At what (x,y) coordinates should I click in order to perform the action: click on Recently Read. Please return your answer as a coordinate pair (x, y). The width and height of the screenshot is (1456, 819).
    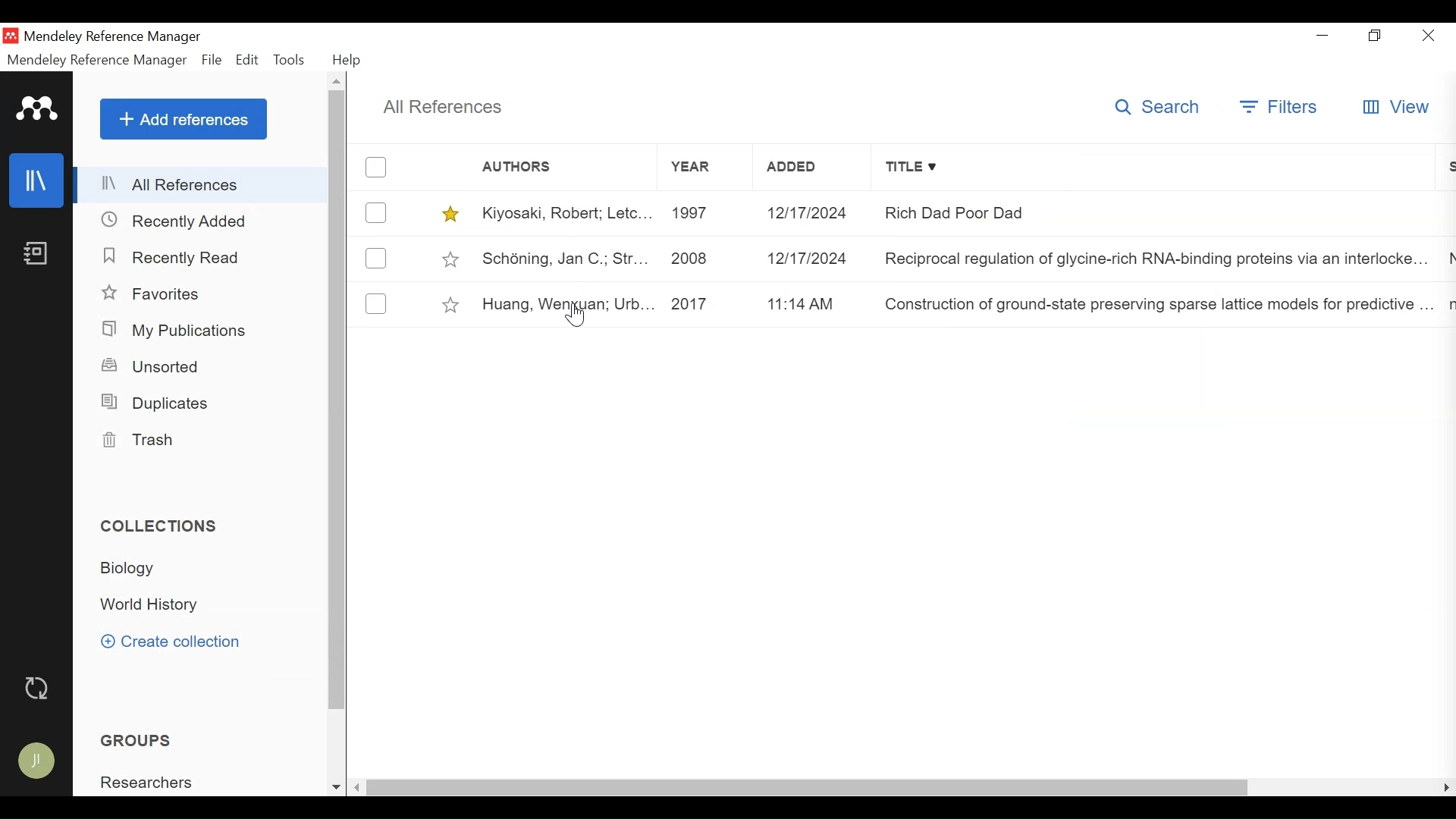
    Looking at the image, I should click on (174, 257).